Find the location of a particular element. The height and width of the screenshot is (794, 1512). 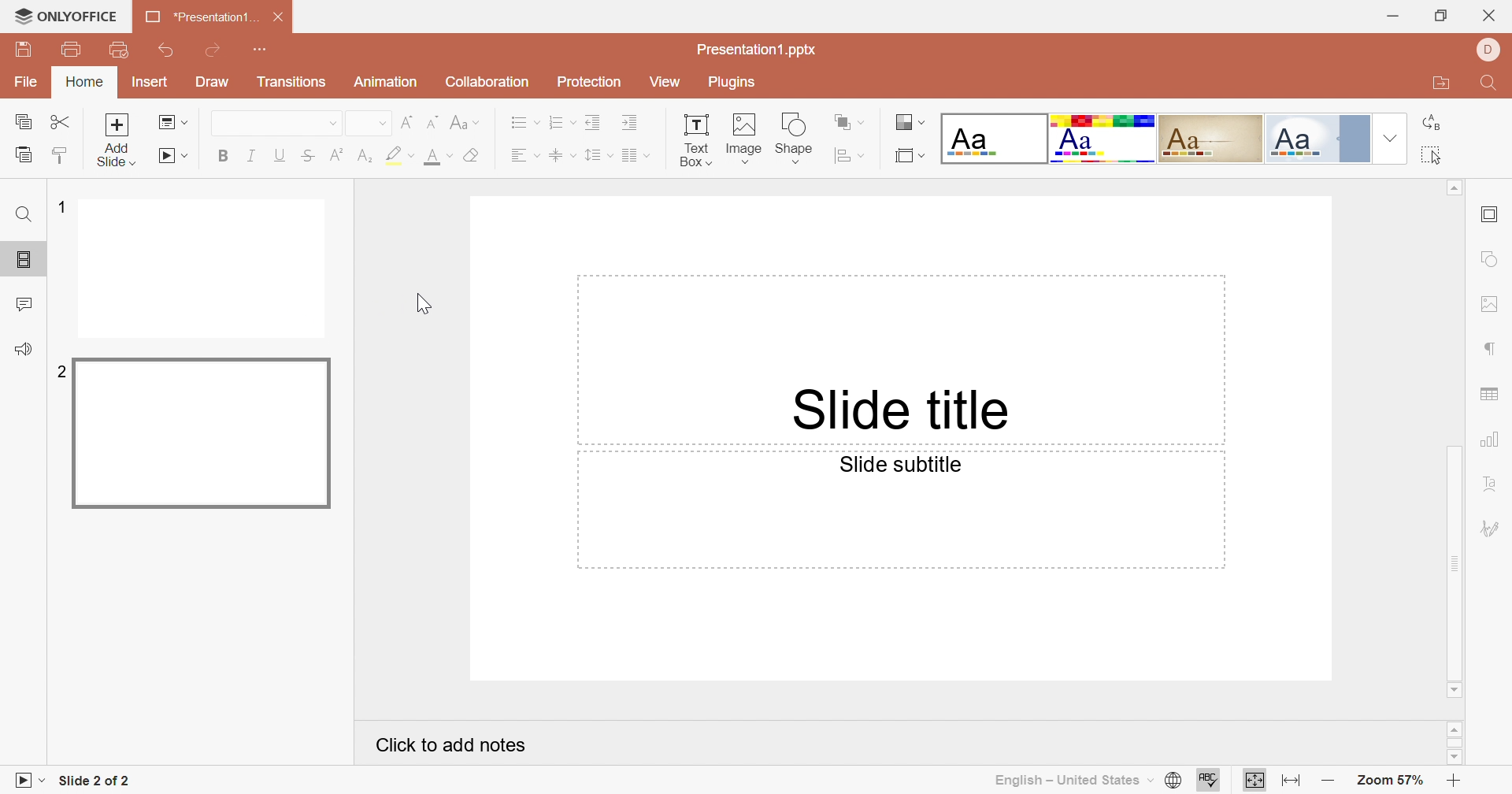

Drop Down is located at coordinates (861, 121).